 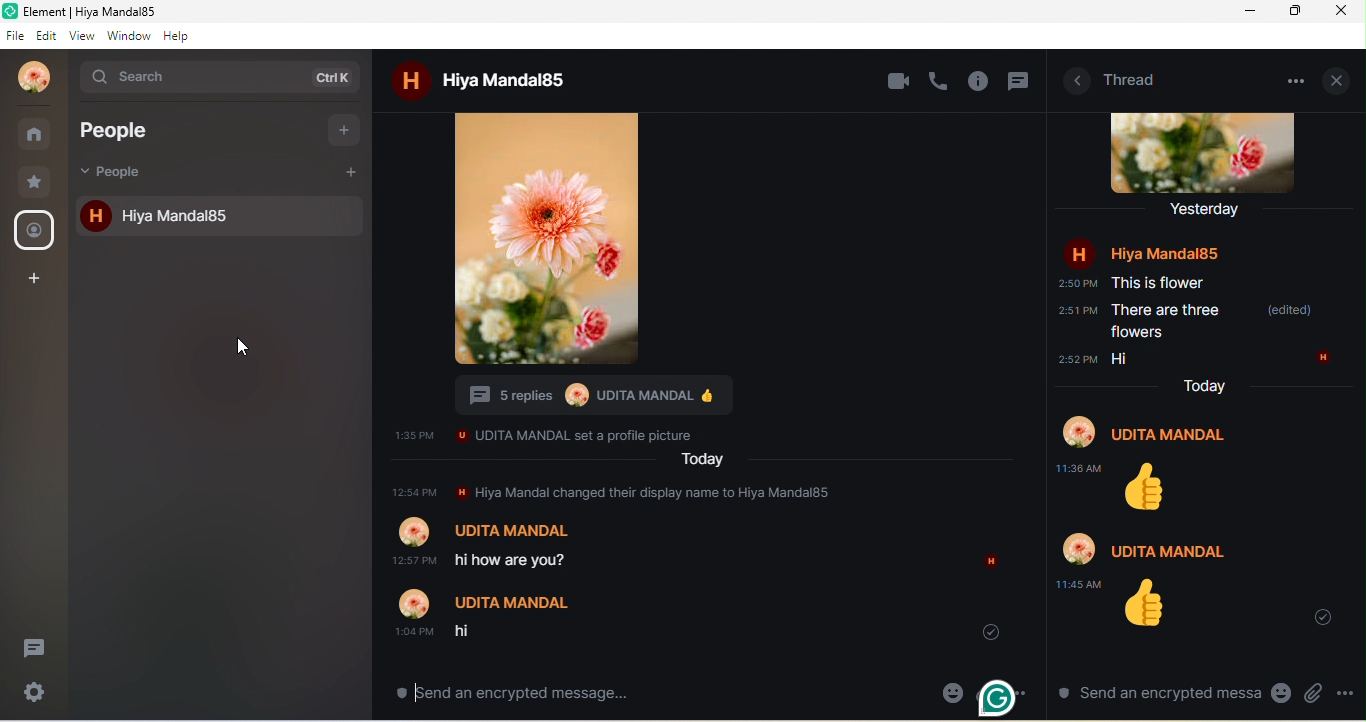 I want to click on There are three flowers, so click(x=1168, y=322).